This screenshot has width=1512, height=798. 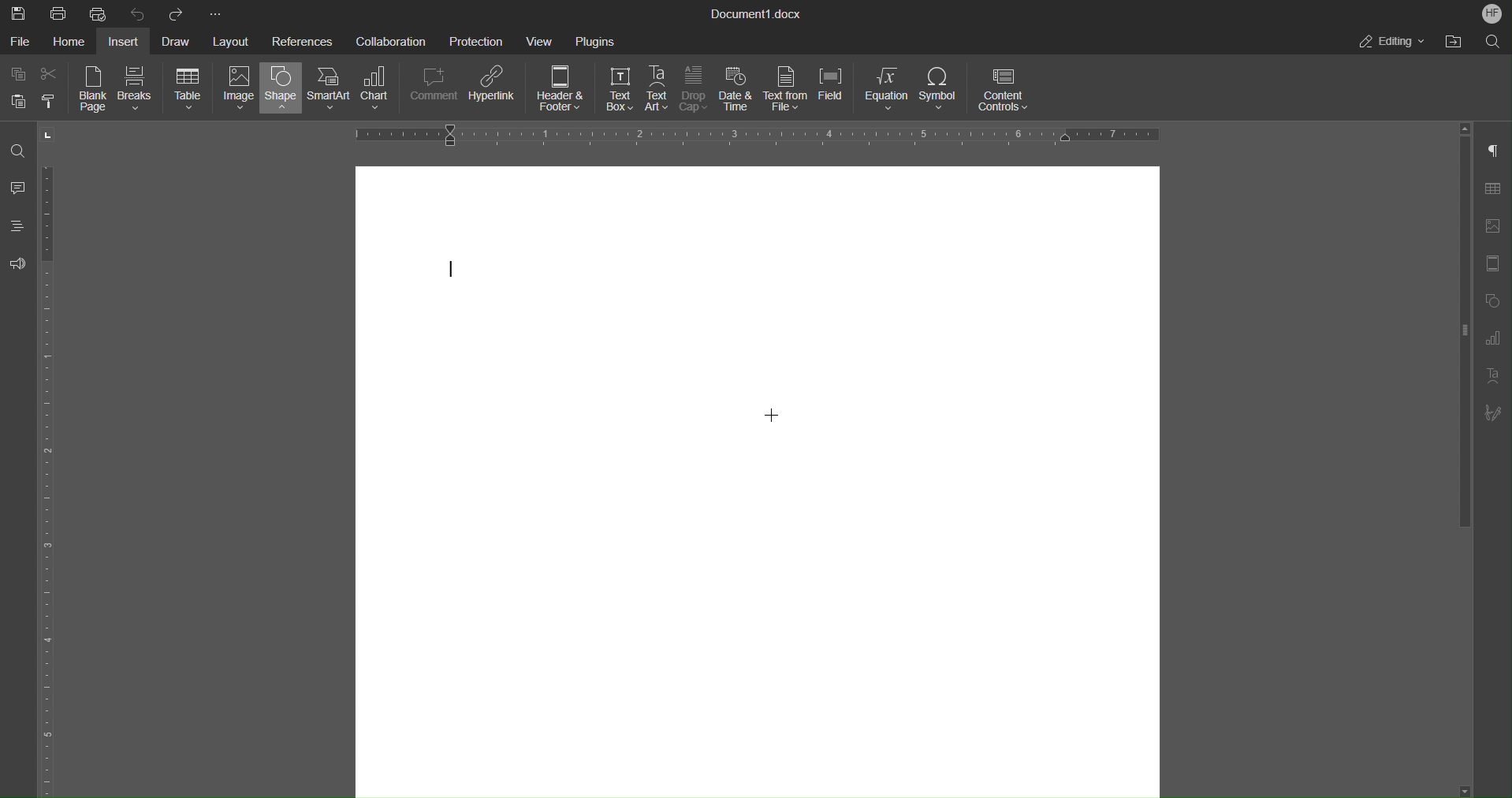 What do you see at coordinates (20, 229) in the screenshot?
I see `Headings` at bounding box center [20, 229].